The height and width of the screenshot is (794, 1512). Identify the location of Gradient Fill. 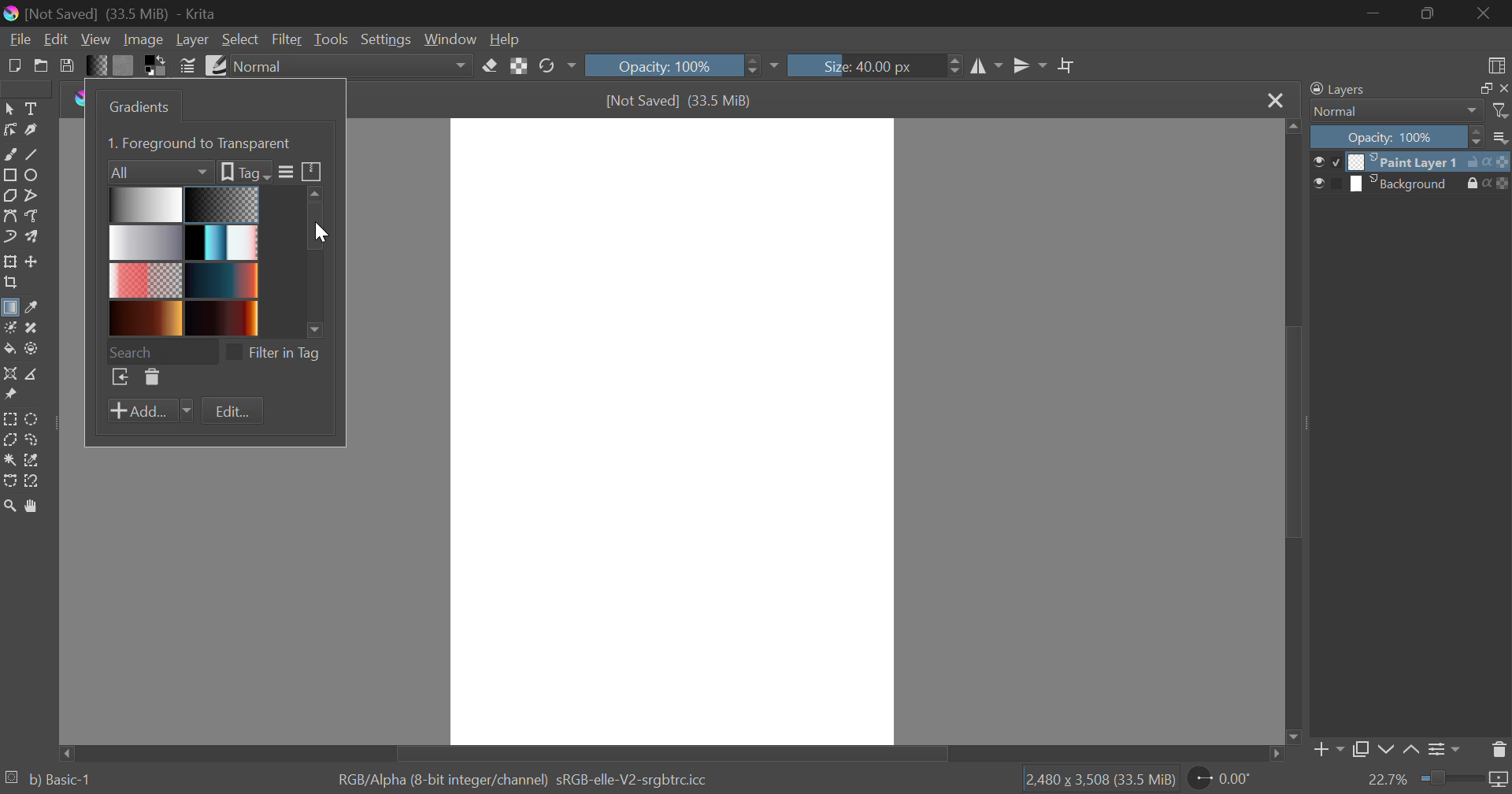
(9, 310).